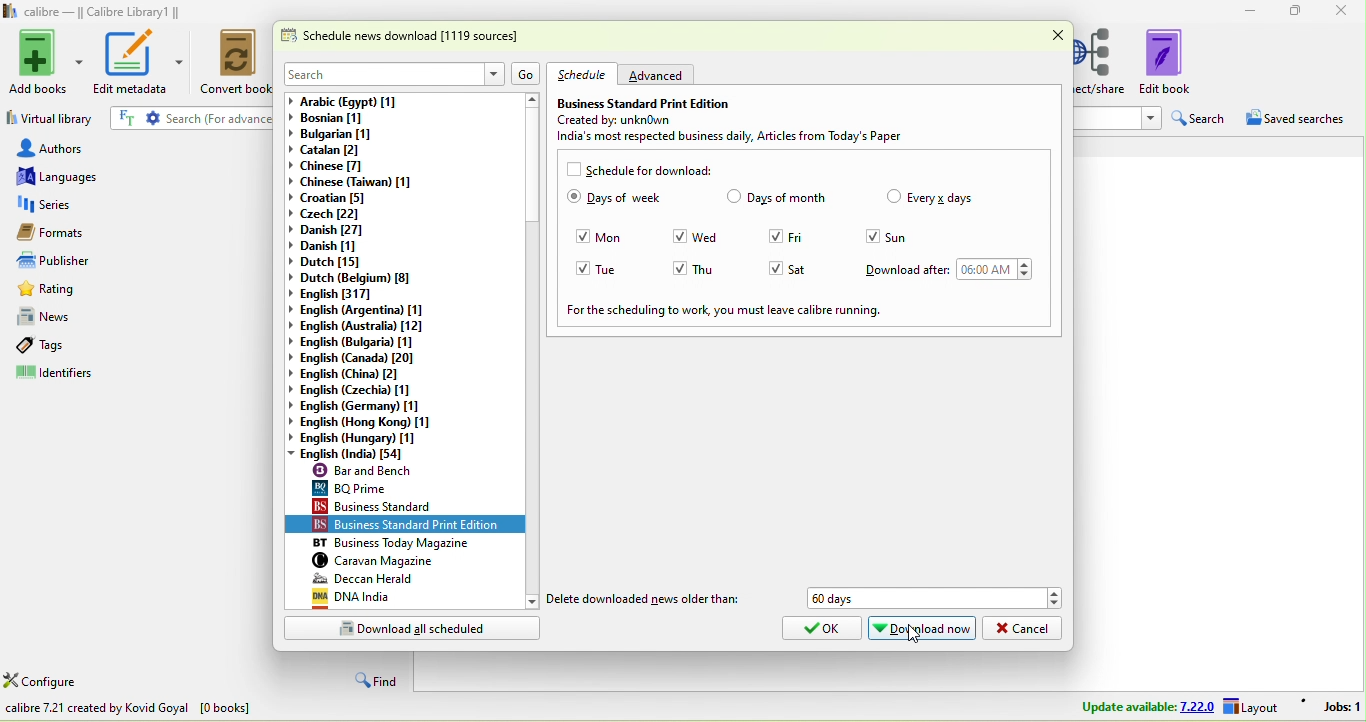 The image size is (1366, 722). I want to click on danish[27], so click(337, 230).